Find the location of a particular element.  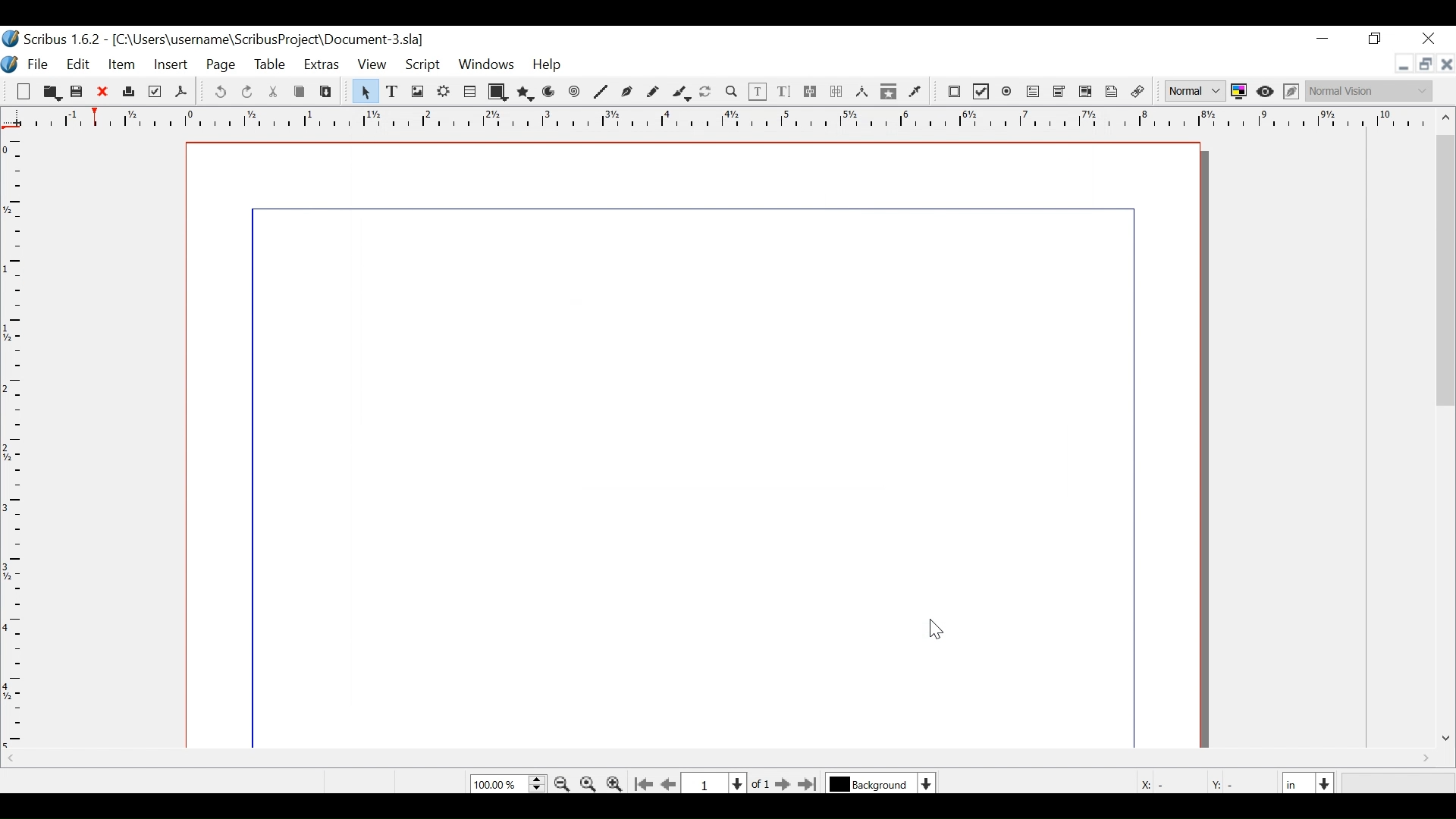

link Text frames is located at coordinates (811, 93).